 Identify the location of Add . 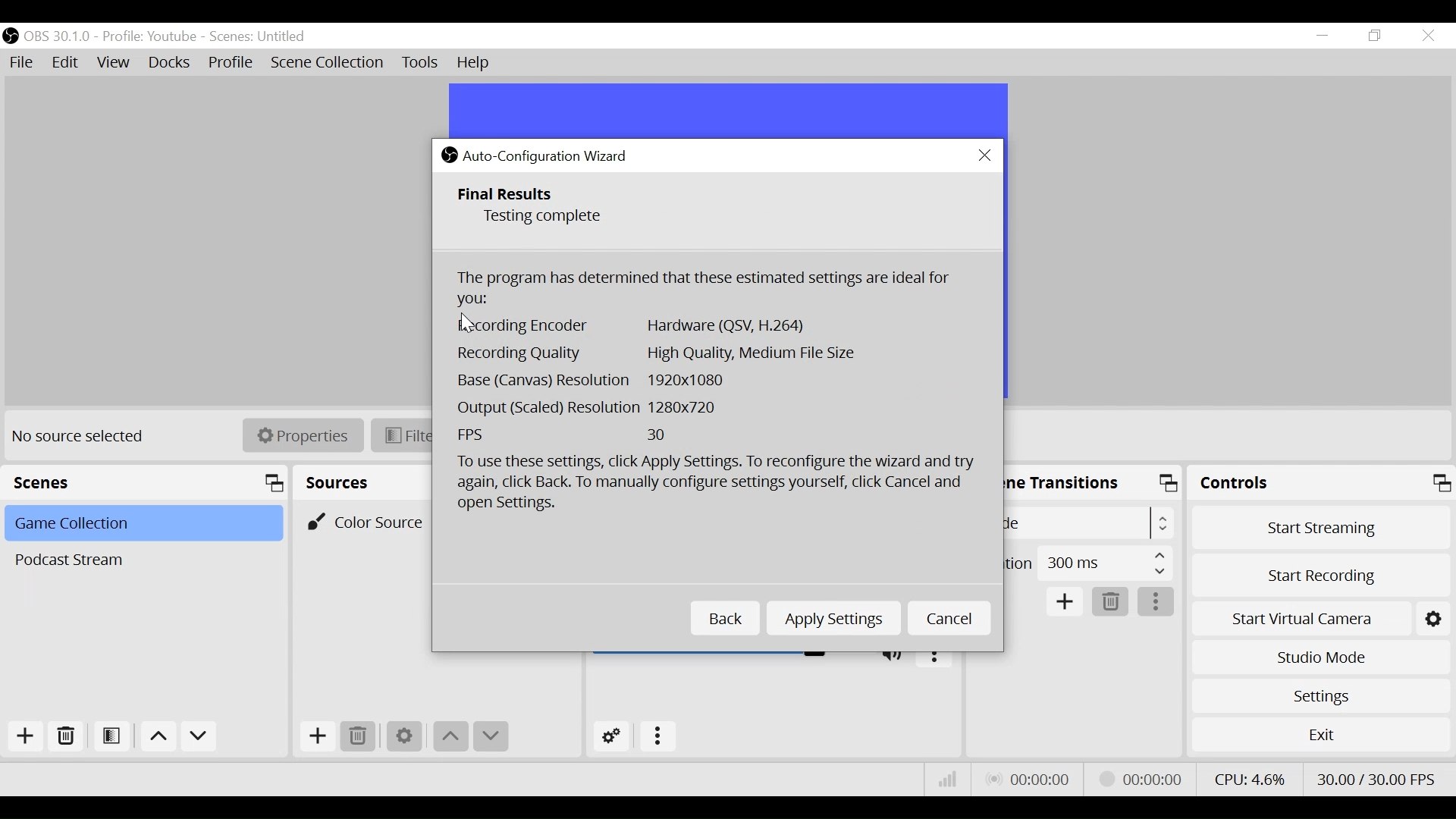
(318, 738).